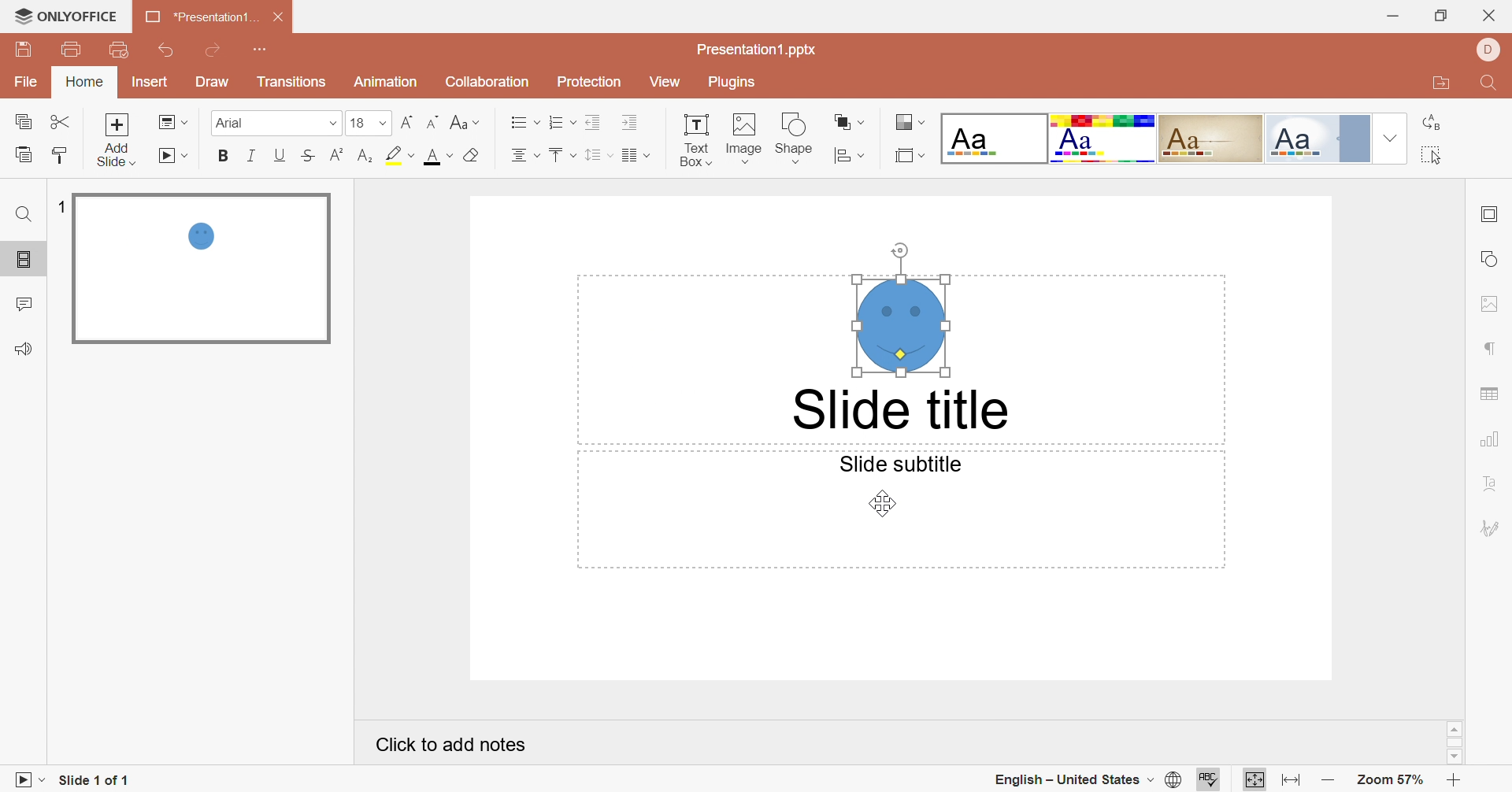 The height and width of the screenshot is (792, 1512). Describe the element at coordinates (1210, 779) in the screenshot. I see `Spell Checking` at that location.